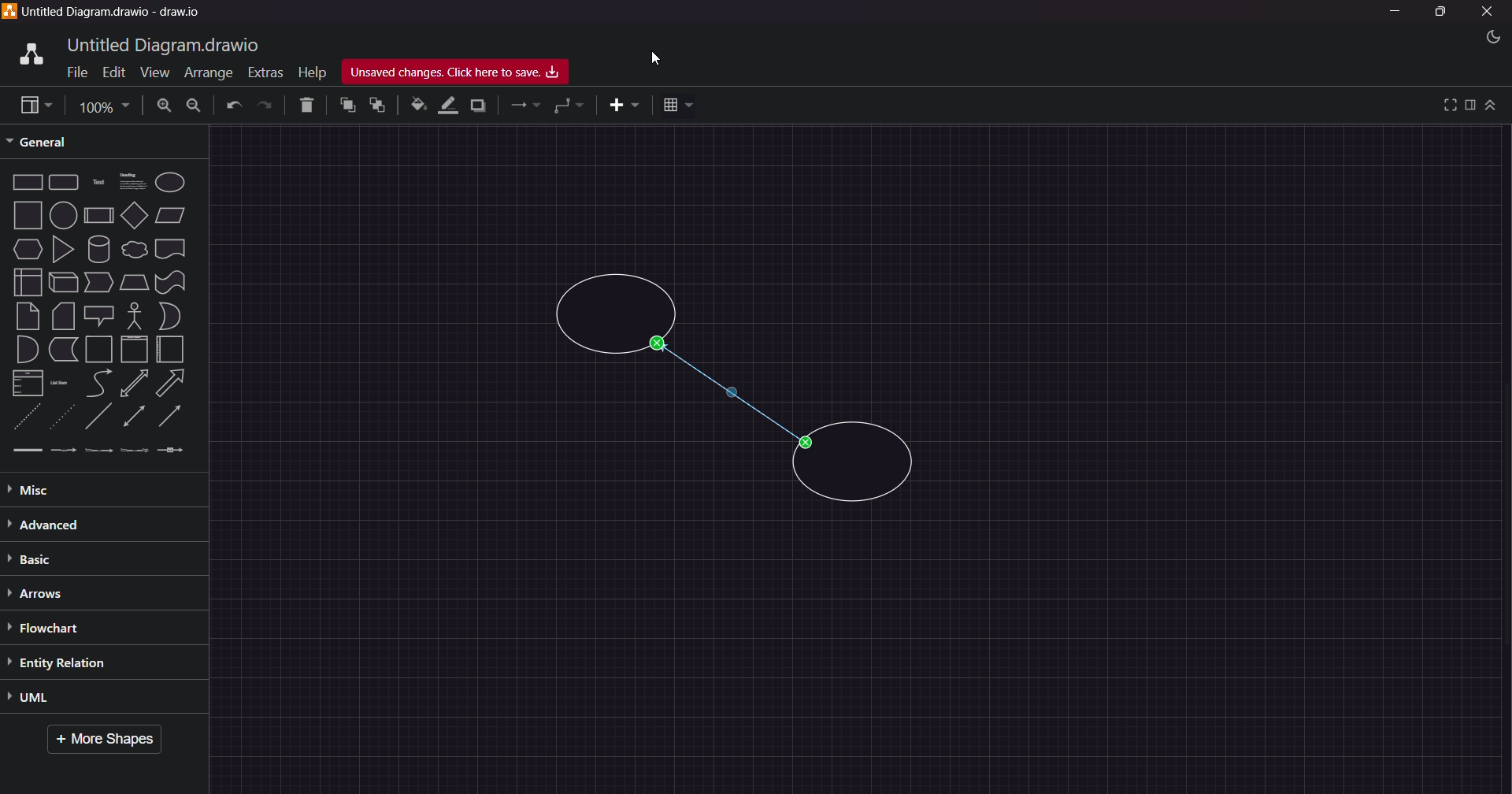 The width and height of the screenshot is (1512, 794). Describe the element at coordinates (267, 106) in the screenshot. I see `Redo` at that location.